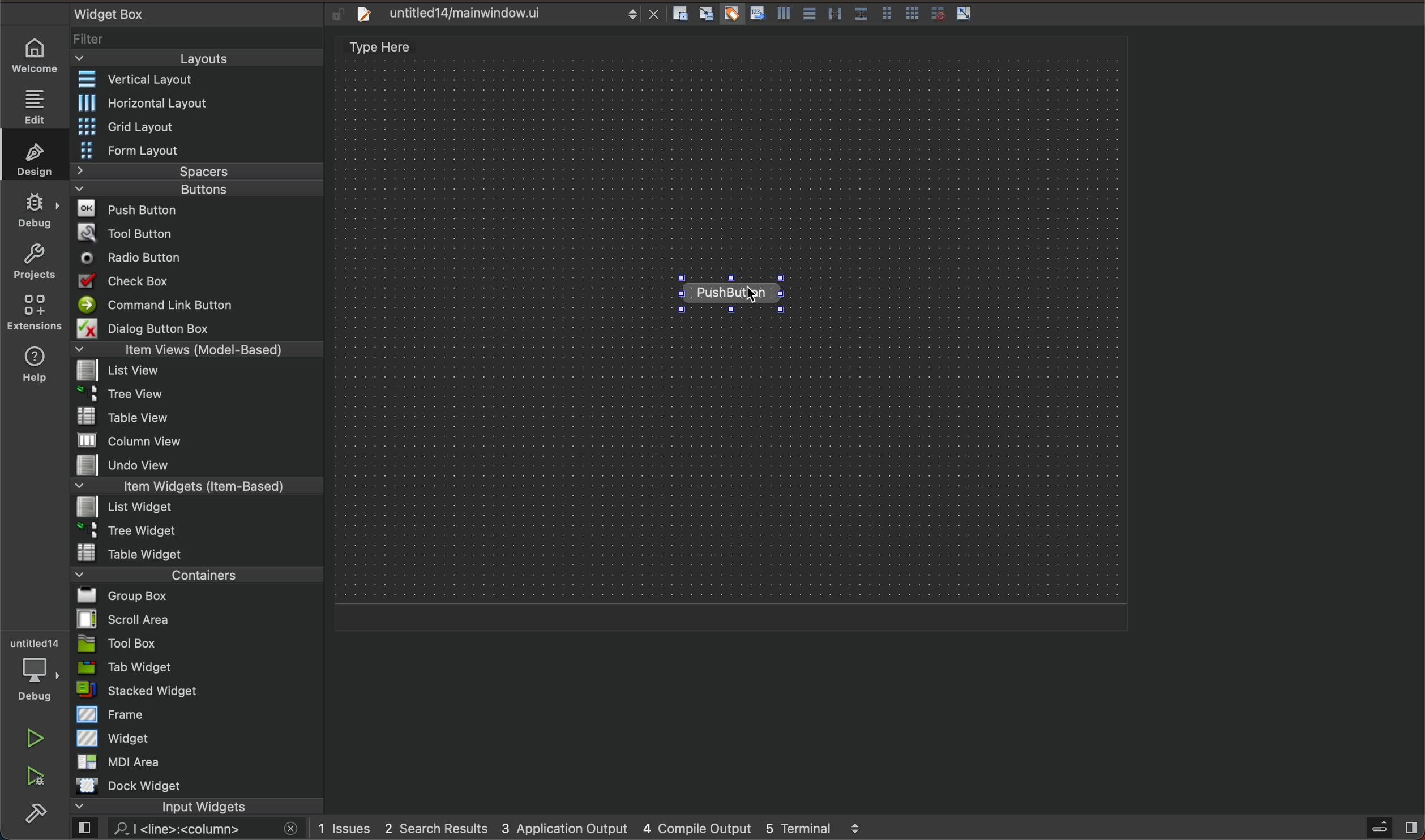  Describe the element at coordinates (755, 300) in the screenshot. I see `cursor` at that location.